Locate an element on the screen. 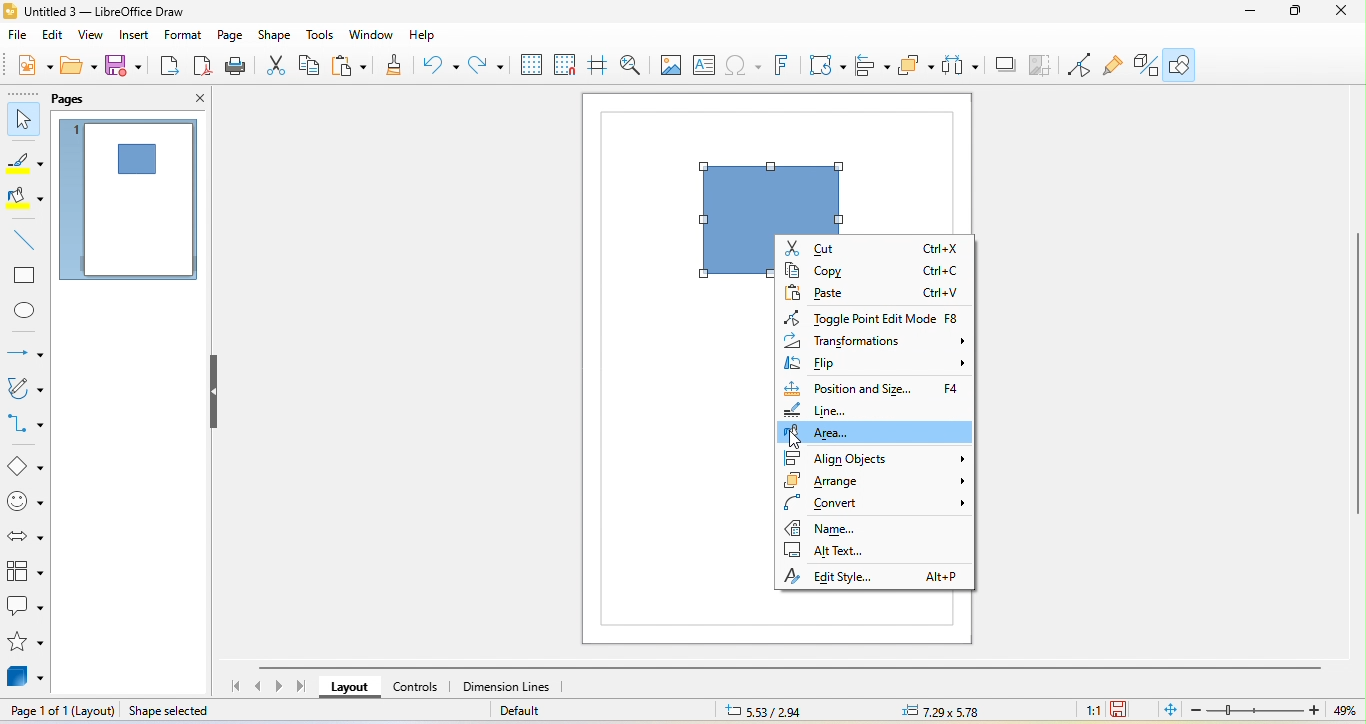  page is located at coordinates (234, 37).